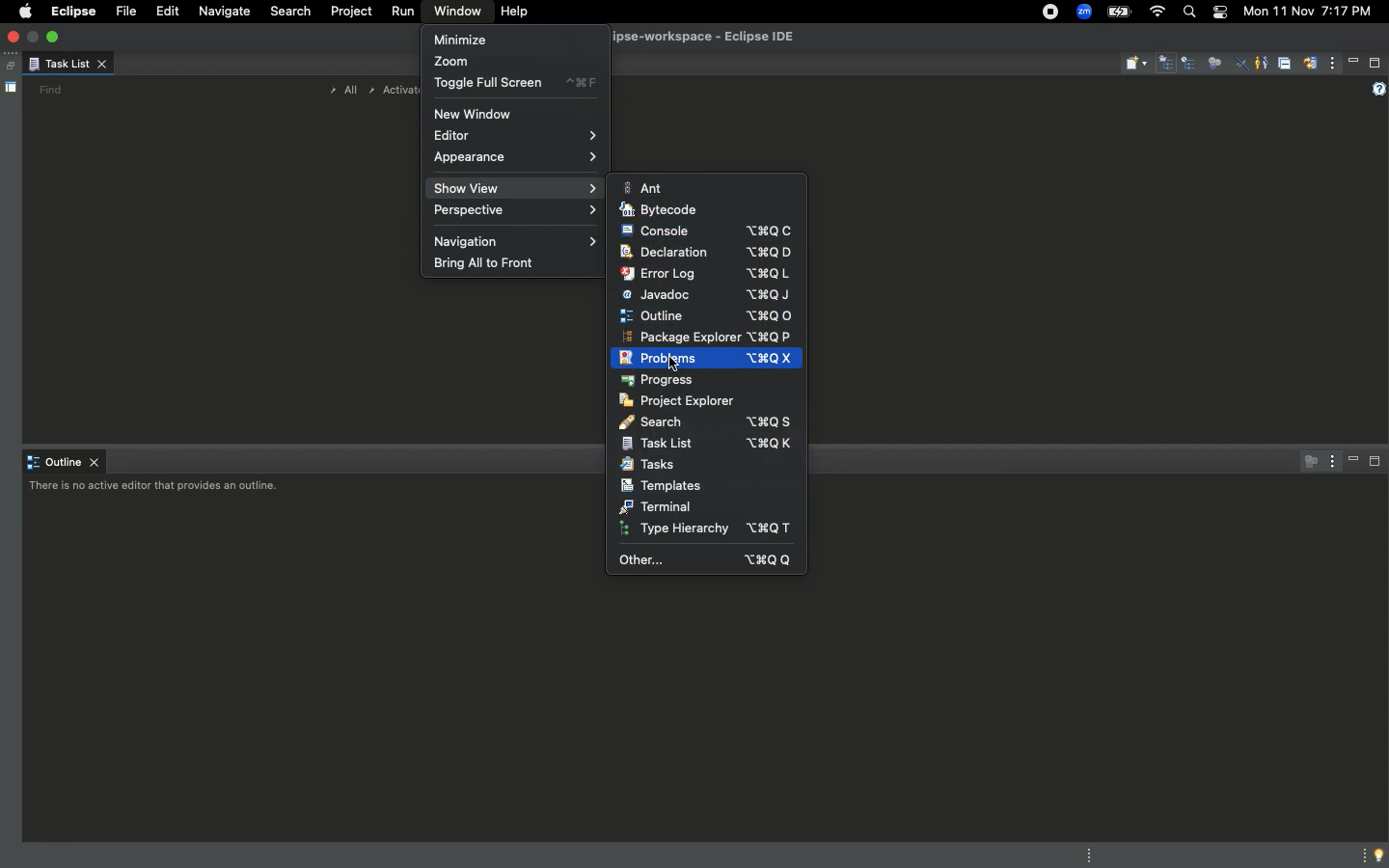 This screenshot has width=1389, height=868. I want to click on Ant, so click(647, 189).